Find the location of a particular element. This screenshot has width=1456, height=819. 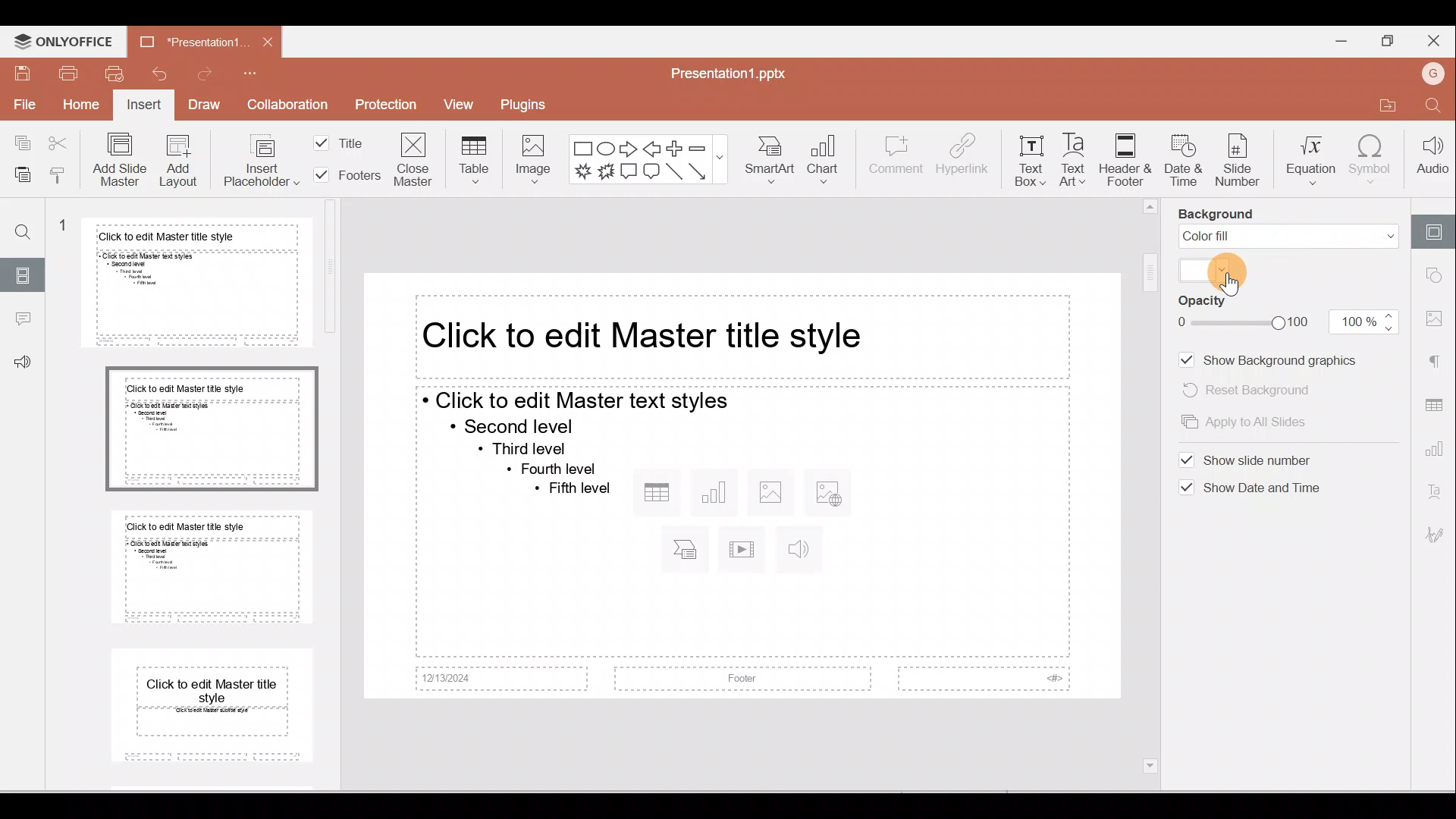

Select colour is located at coordinates (1205, 270).